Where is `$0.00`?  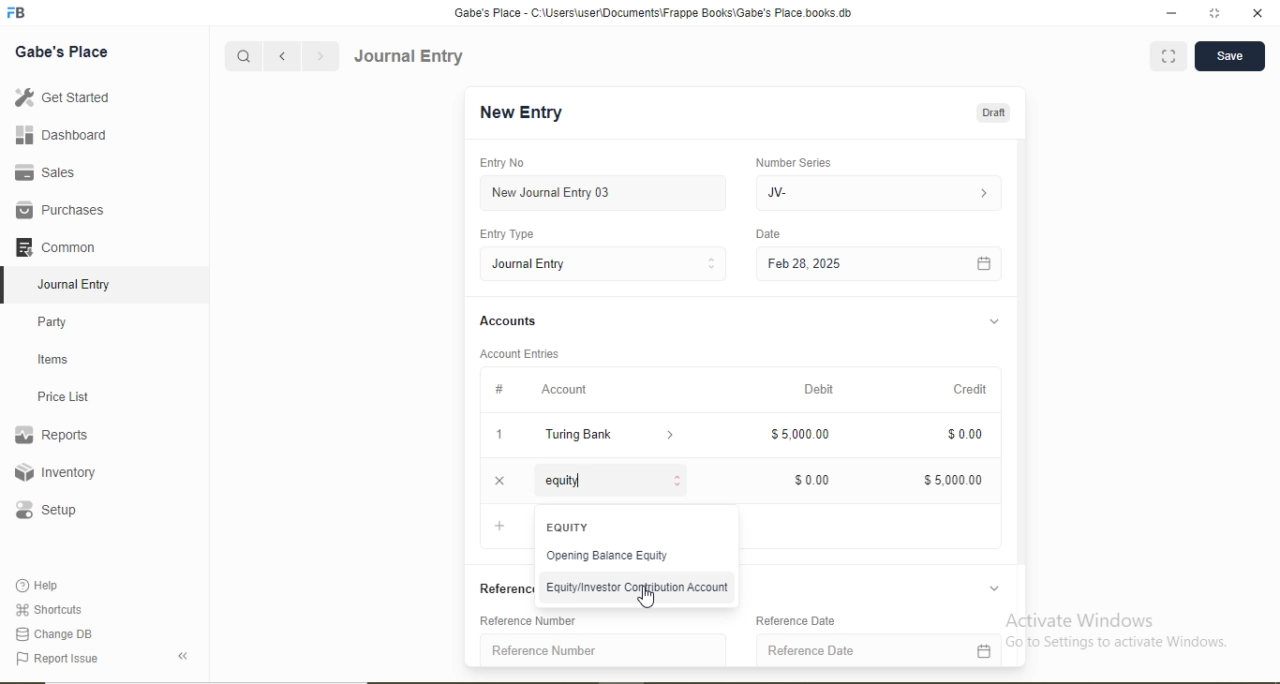 $0.00 is located at coordinates (965, 435).